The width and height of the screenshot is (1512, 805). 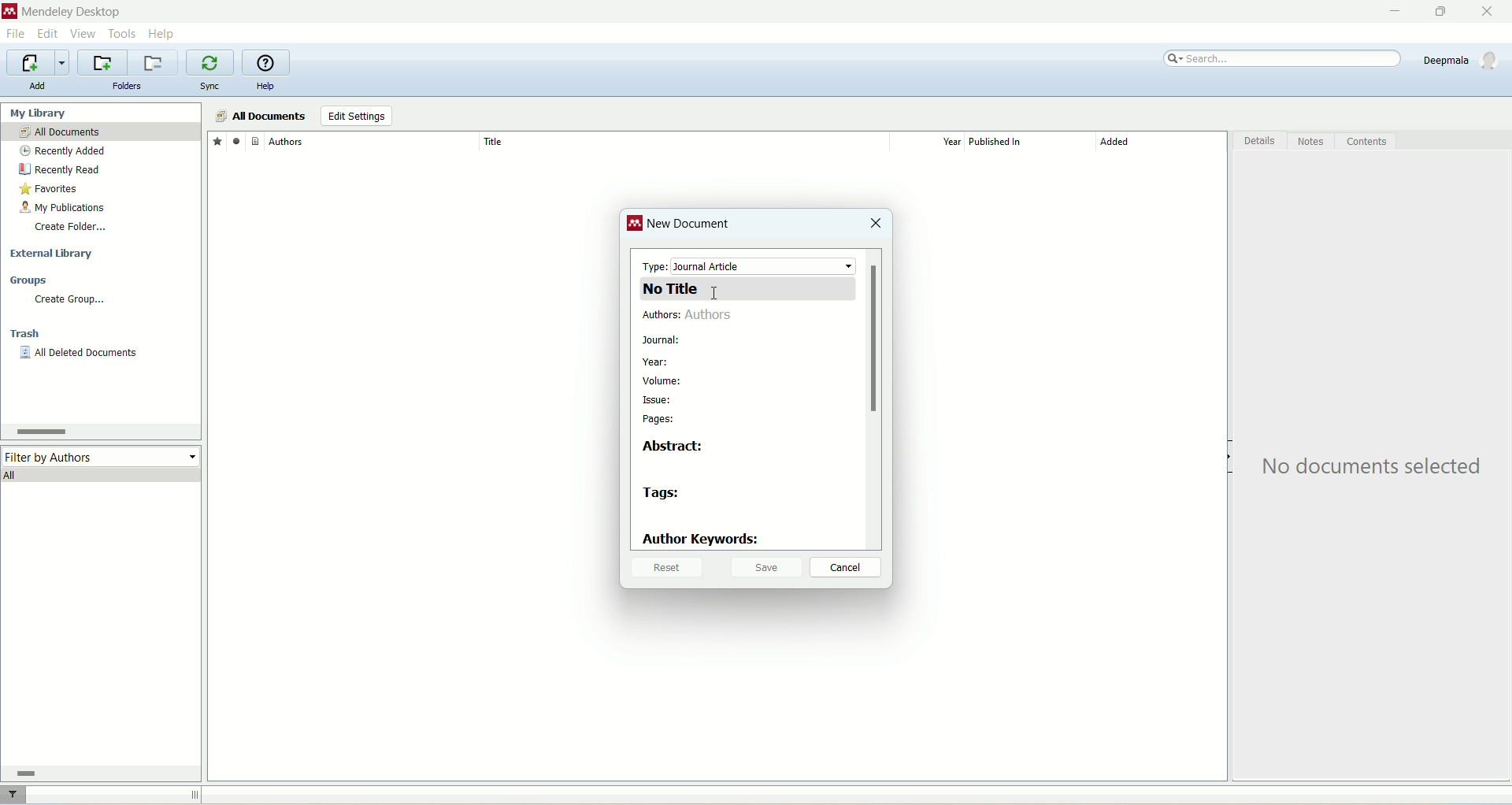 I want to click on filter by author, so click(x=102, y=455).